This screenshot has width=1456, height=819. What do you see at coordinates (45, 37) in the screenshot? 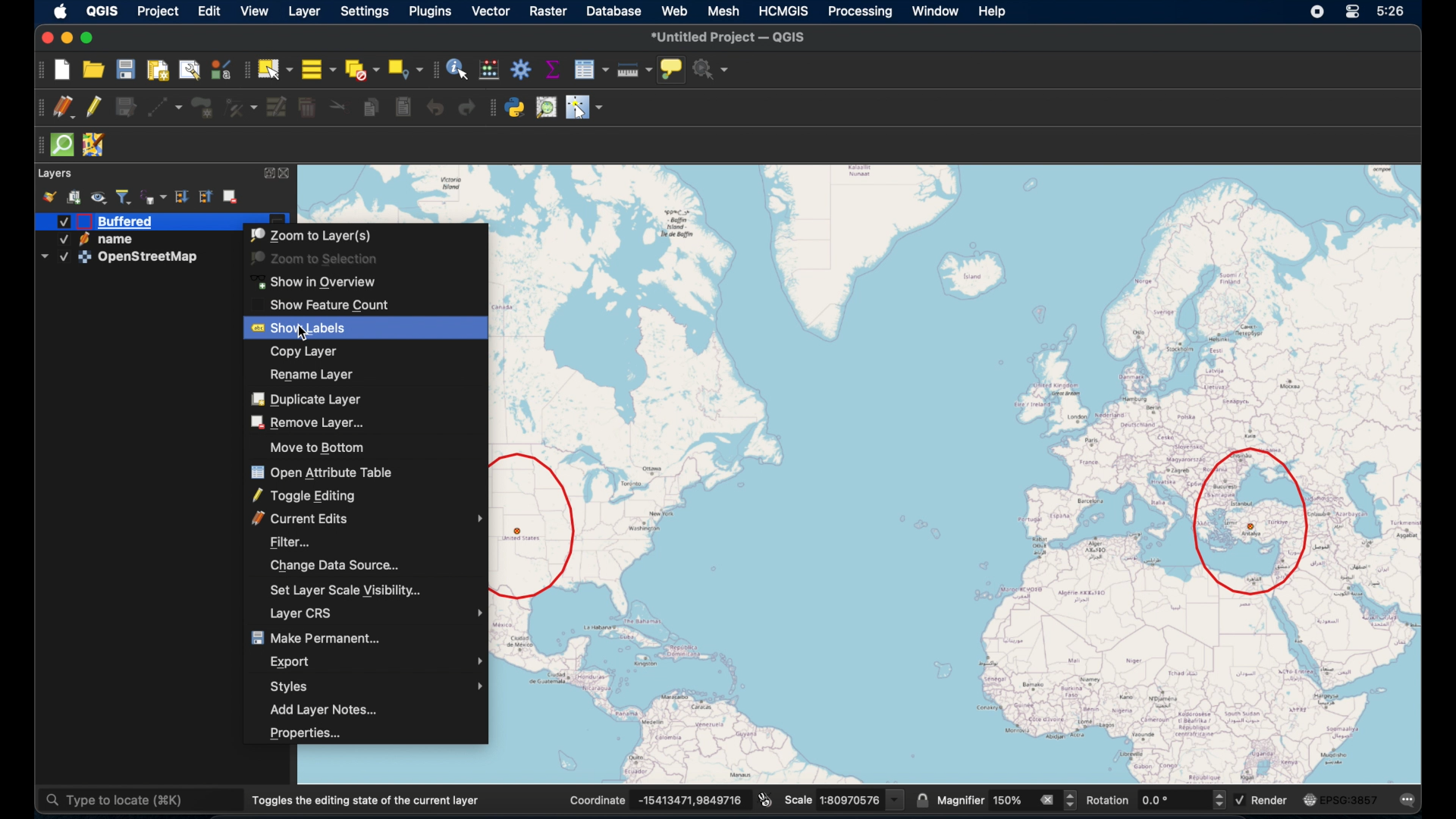
I see `` at bounding box center [45, 37].